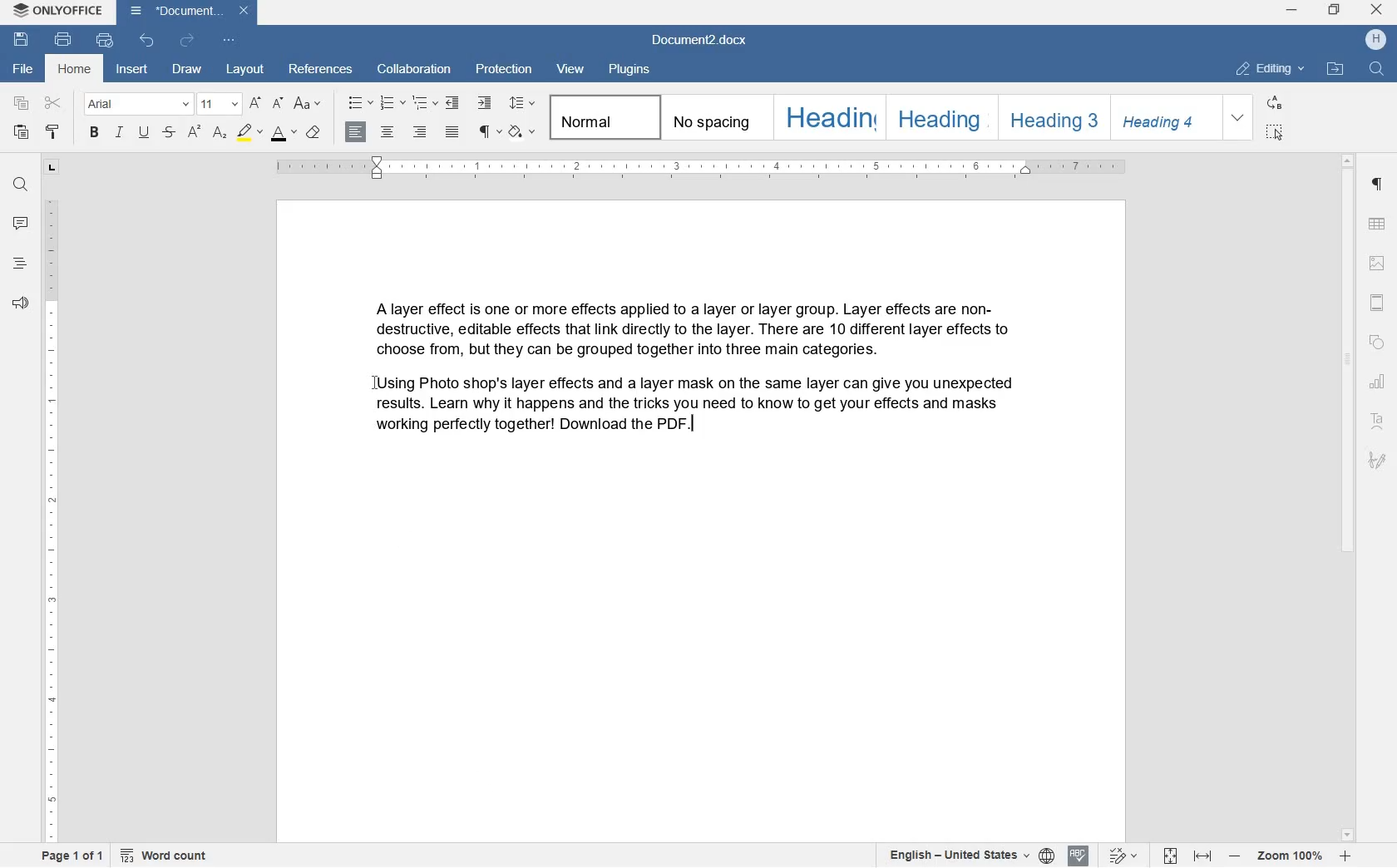 The image size is (1397, 868). I want to click on UNDO, so click(148, 42).